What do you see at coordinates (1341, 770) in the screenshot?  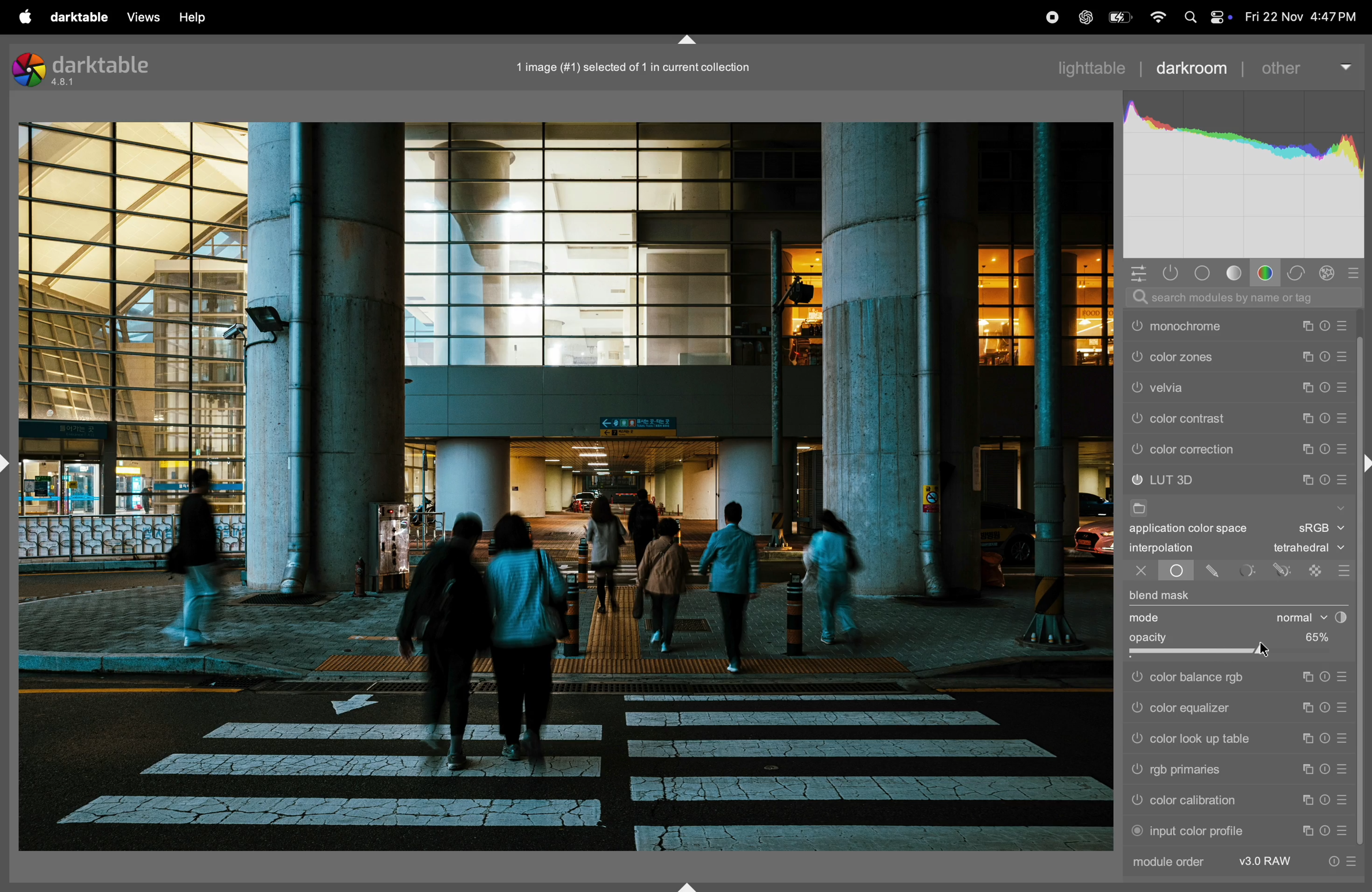 I see `presets` at bounding box center [1341, 770].